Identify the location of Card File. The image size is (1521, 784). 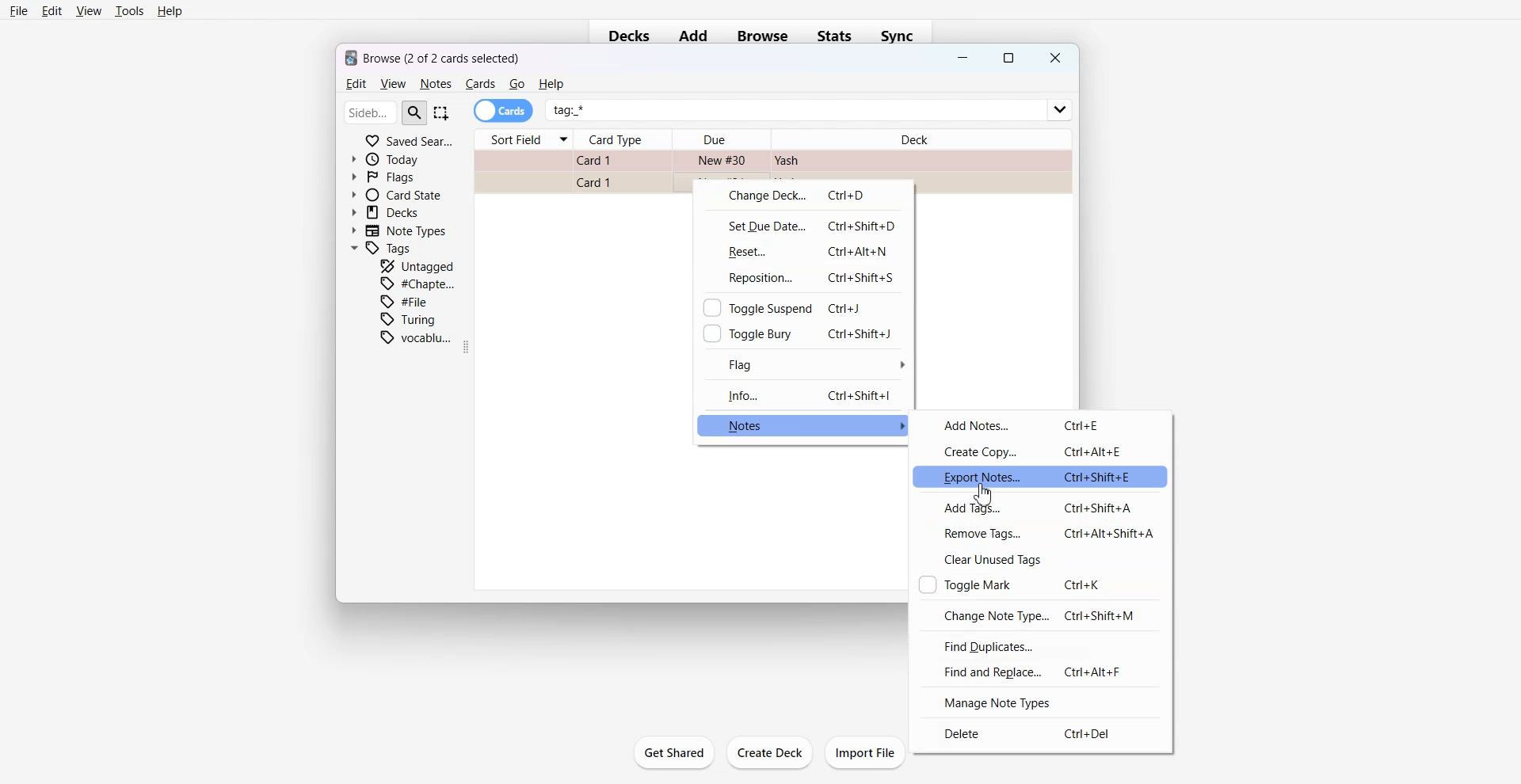
(772, 162).